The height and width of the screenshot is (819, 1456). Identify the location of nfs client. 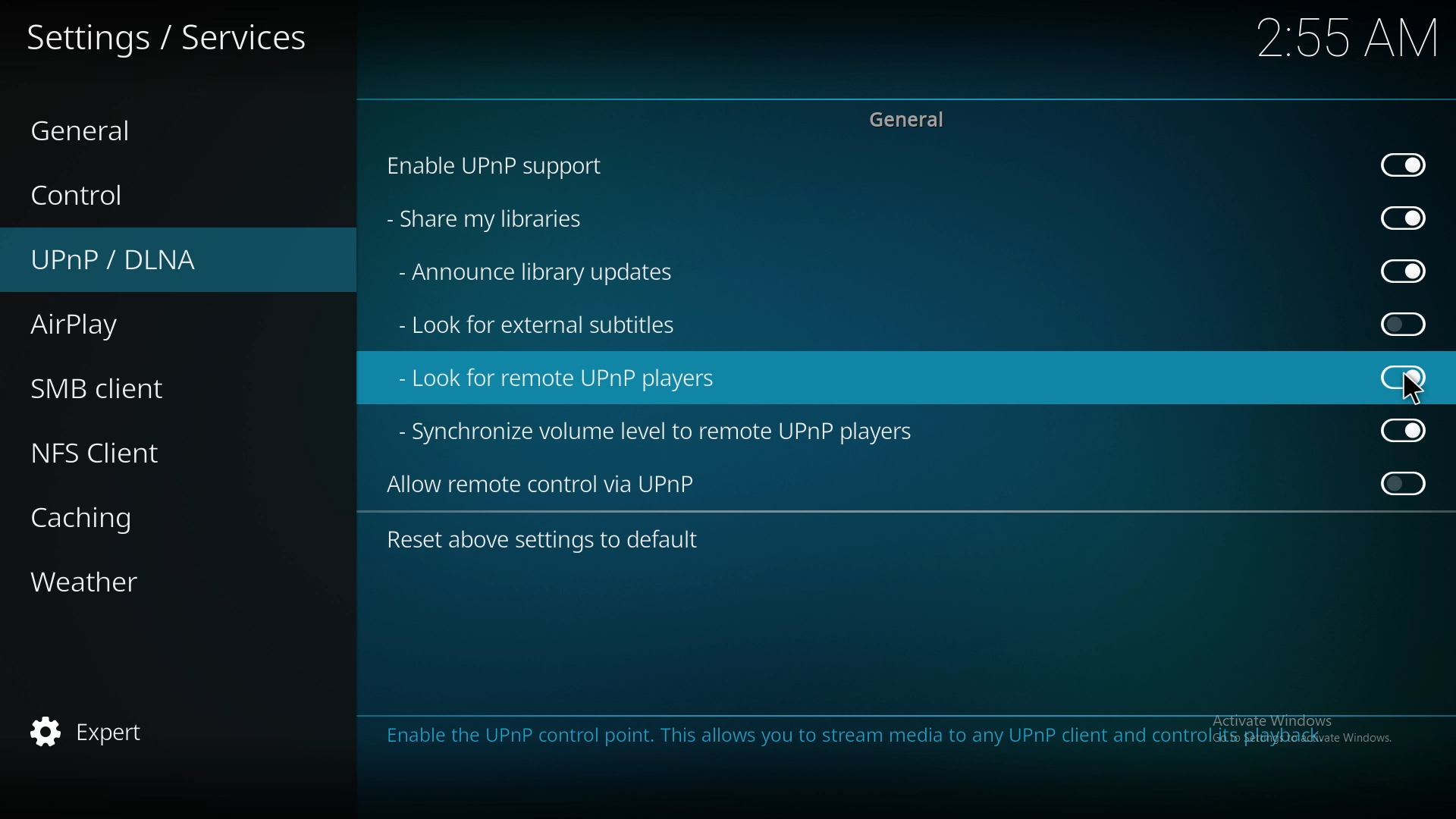
(106, 455).